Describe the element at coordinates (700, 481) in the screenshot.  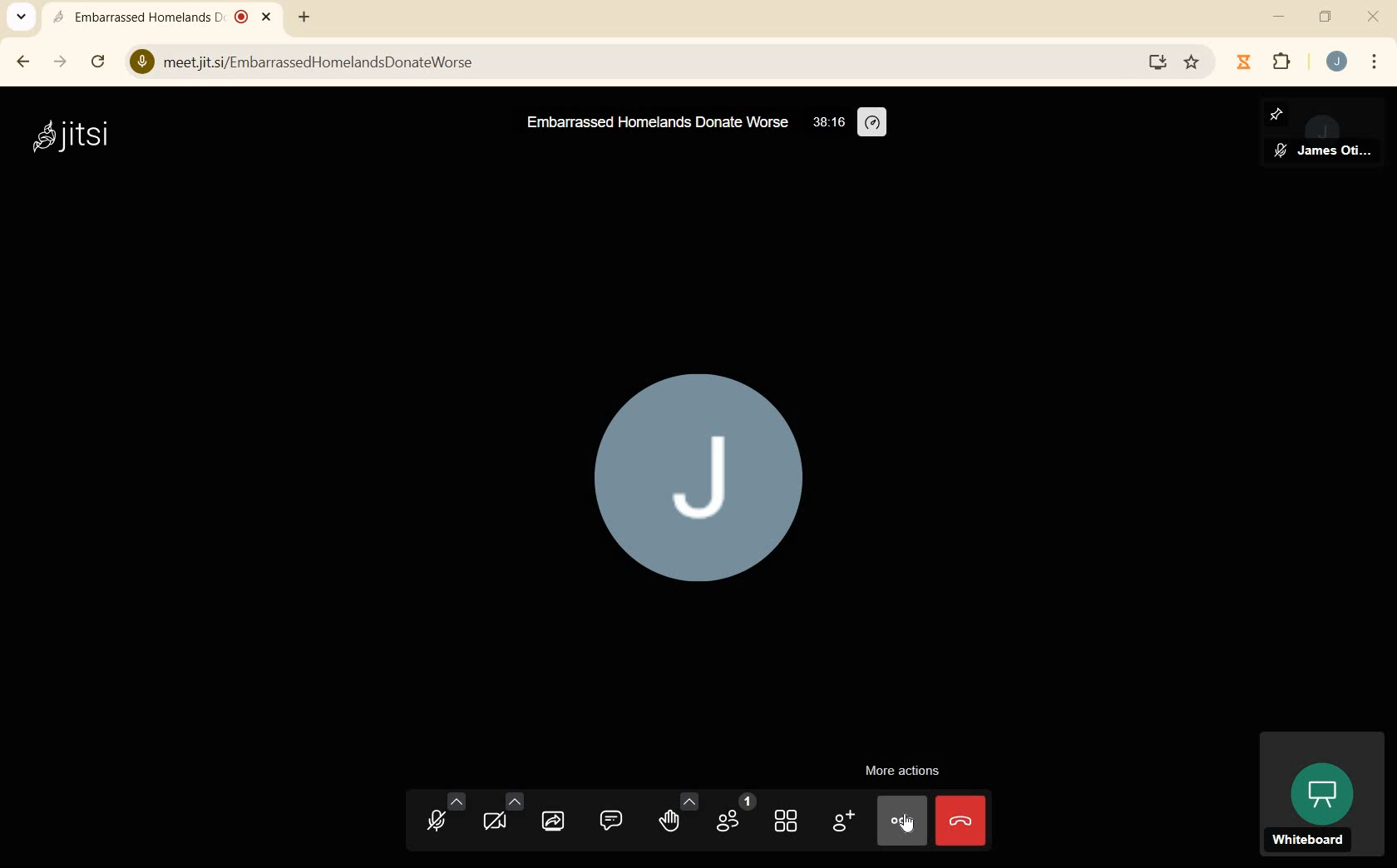
I see `participant initial` at that location.